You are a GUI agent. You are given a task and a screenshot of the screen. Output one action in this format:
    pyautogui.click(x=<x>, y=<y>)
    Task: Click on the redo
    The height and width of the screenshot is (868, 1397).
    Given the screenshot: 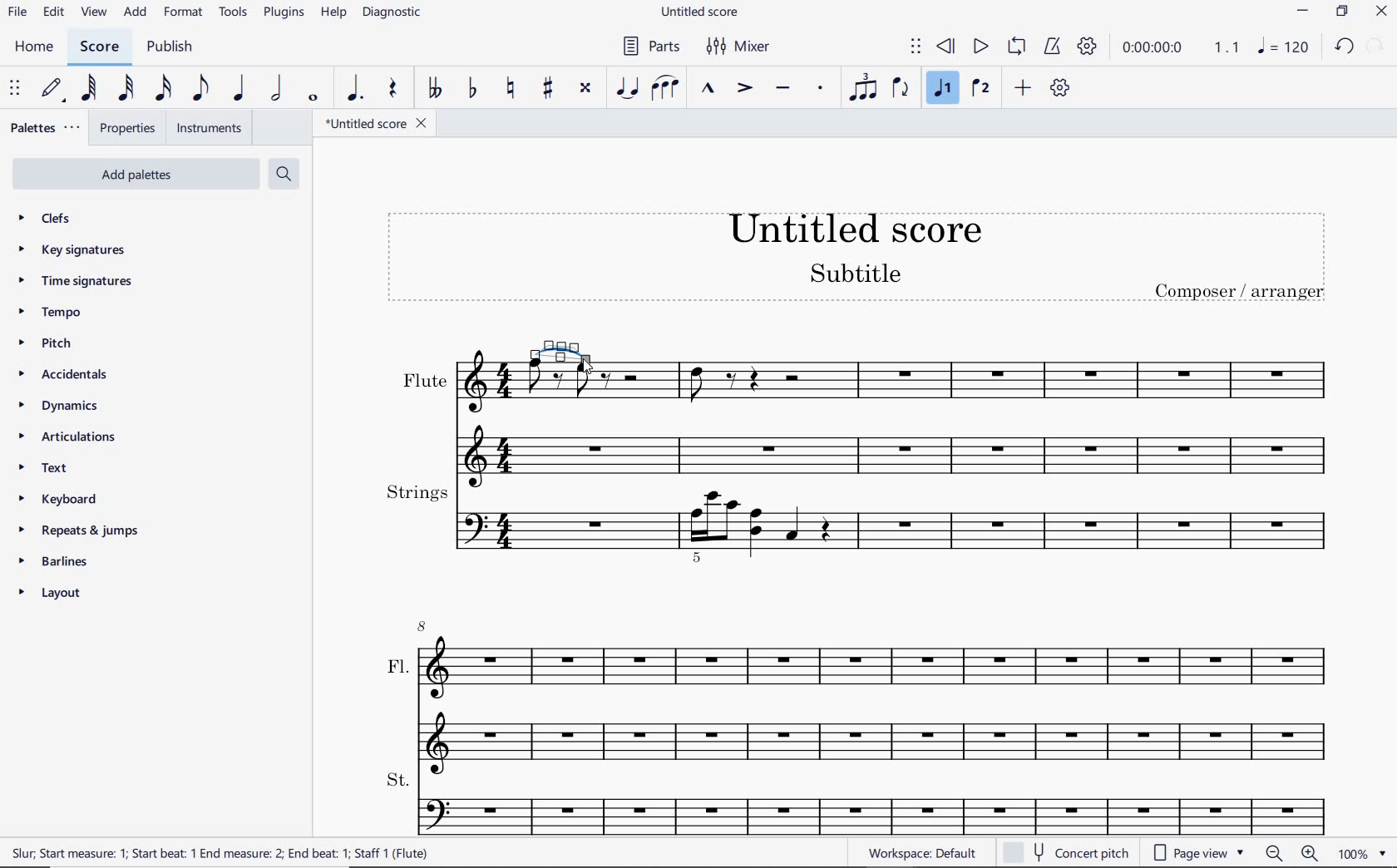 What is the action you would take?
    pyautogui.click(x=1378, y=47)
    